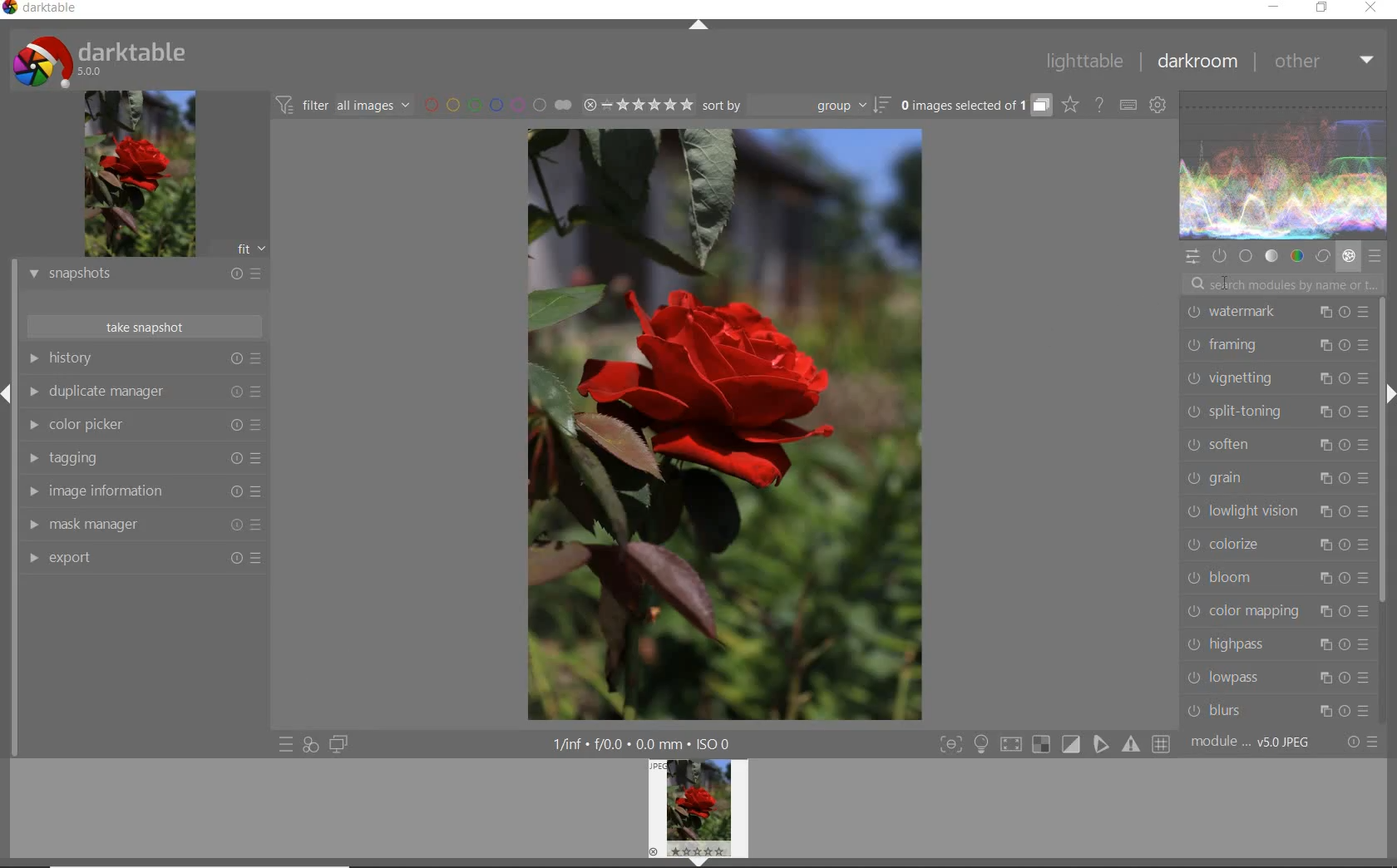  What do you see at coordinates (1276, 510) in the screenshot?
I see `lowlight vision` at bounding box center [1276, 510].